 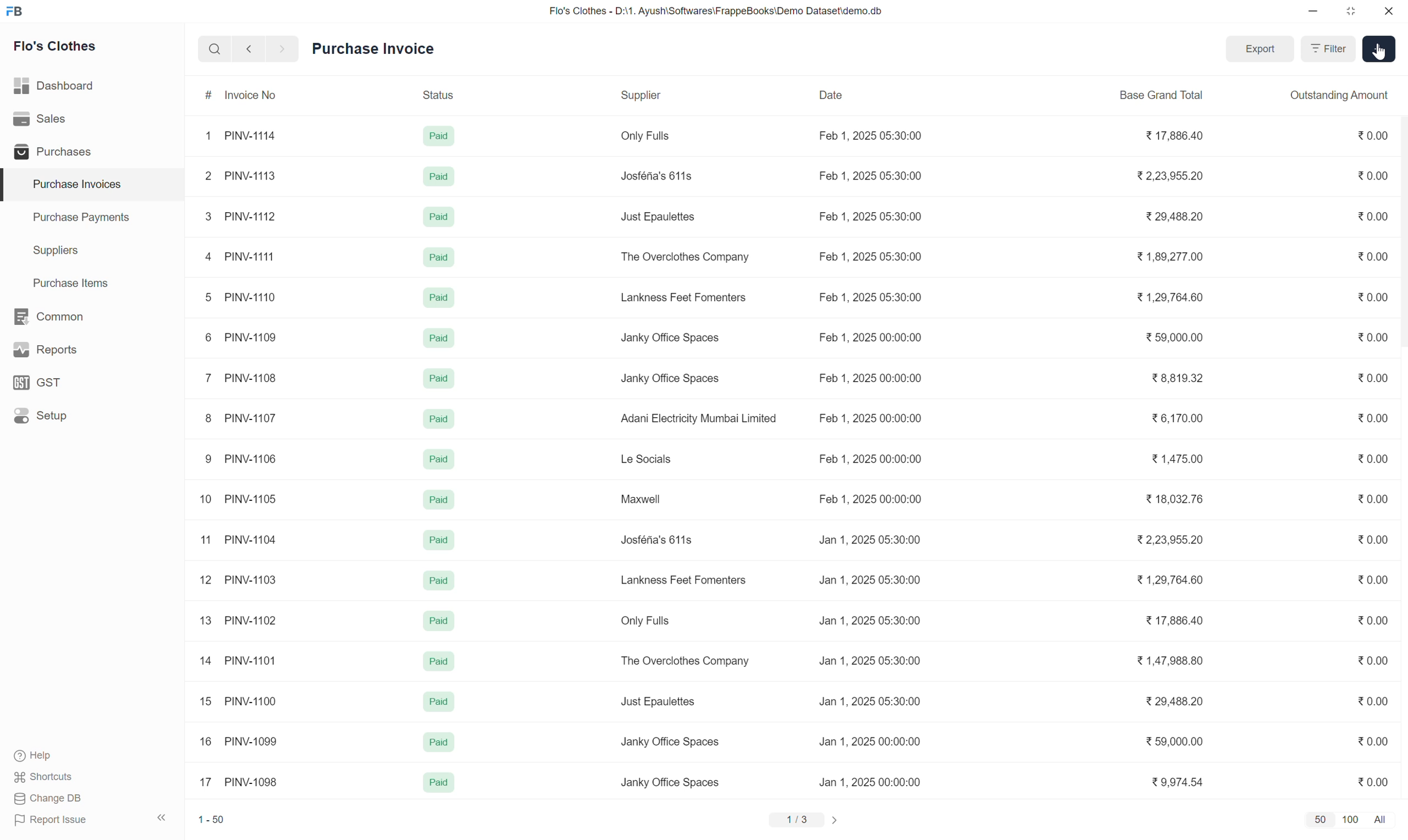 I want to click on Jan 1, 2025 05:30:00, so click(x=870, y=660).